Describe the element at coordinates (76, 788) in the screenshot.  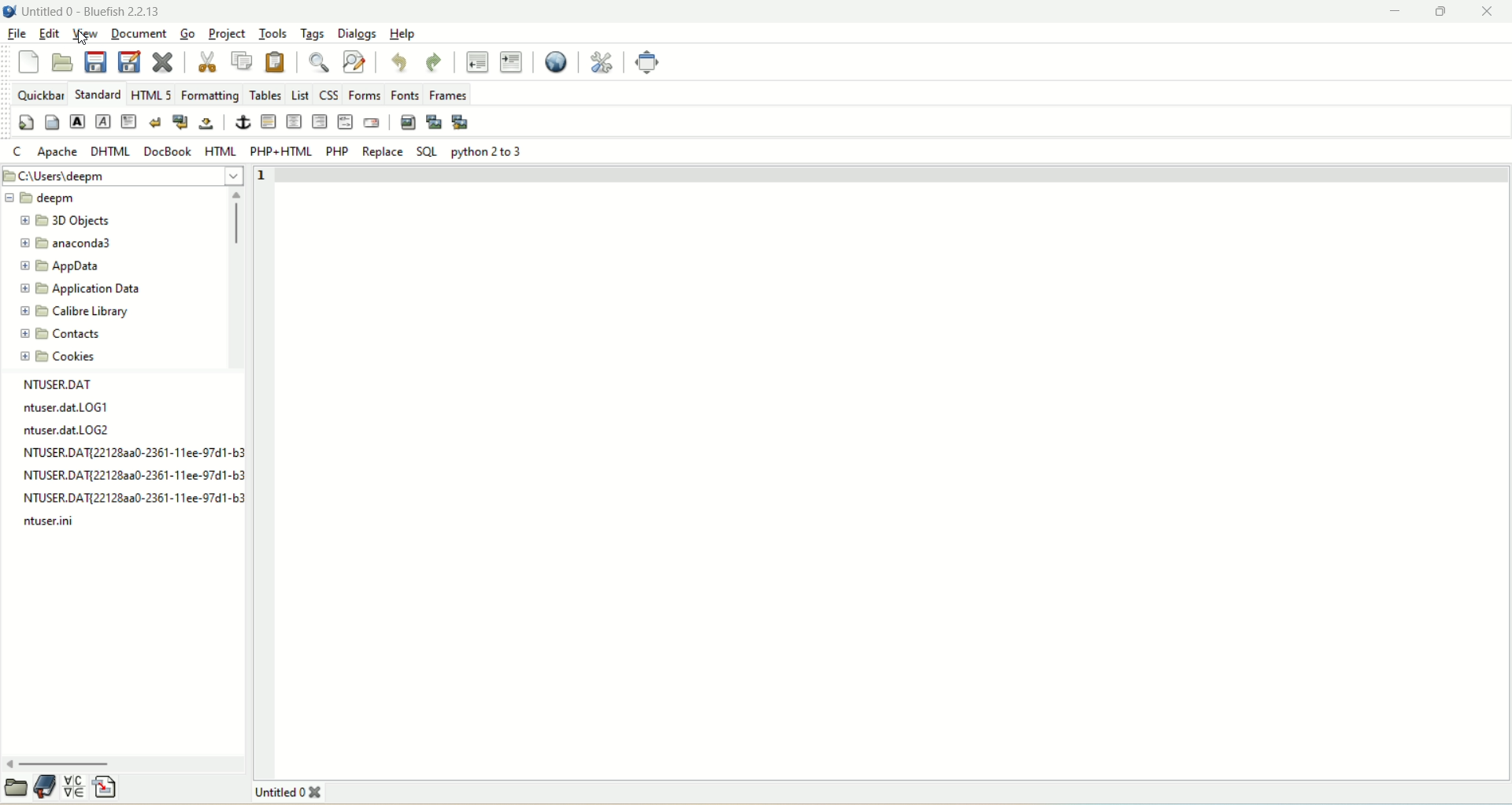
I see `insert special character` at that location.